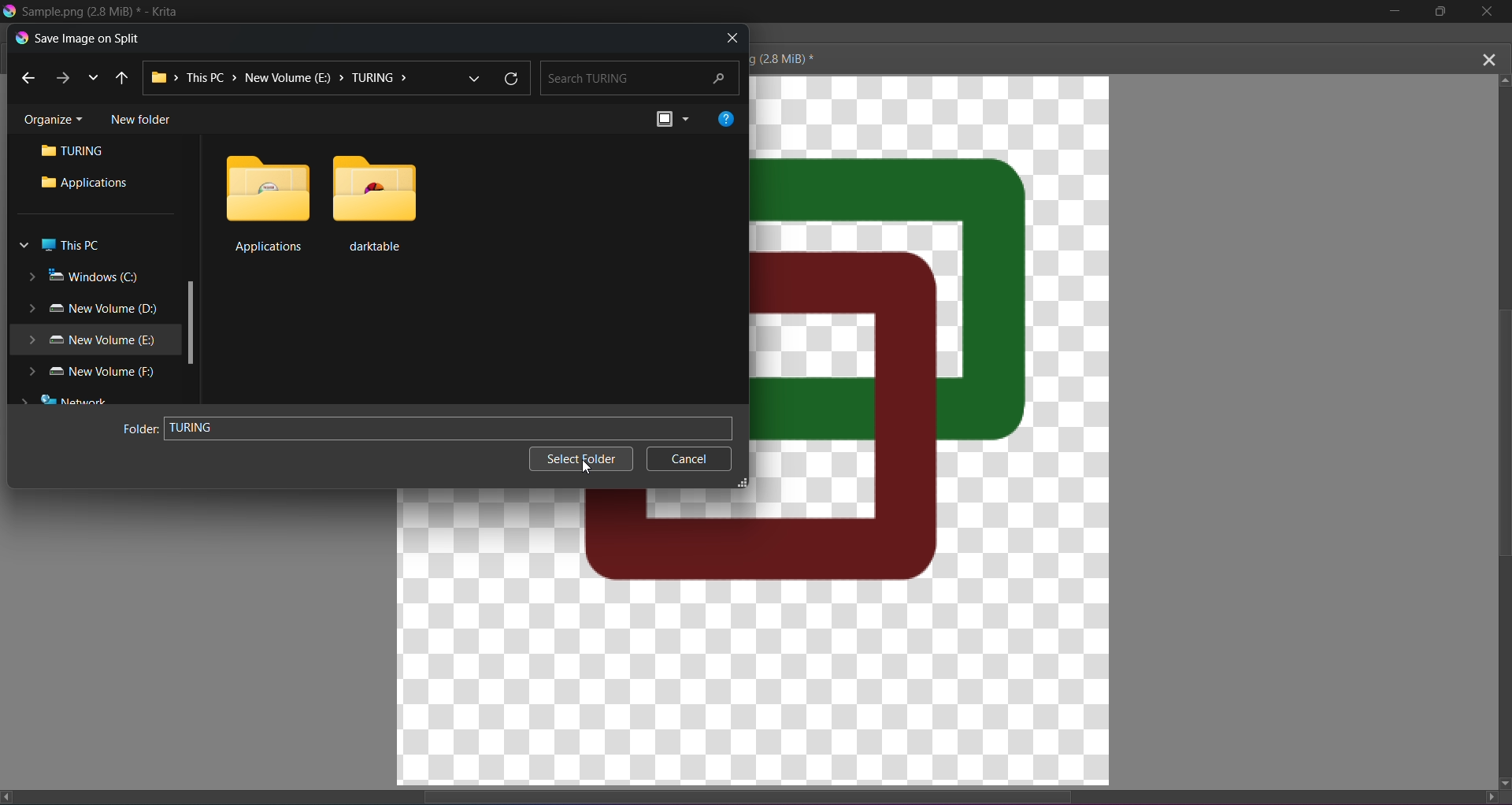  I want to click on Turing, so click(79, 154).